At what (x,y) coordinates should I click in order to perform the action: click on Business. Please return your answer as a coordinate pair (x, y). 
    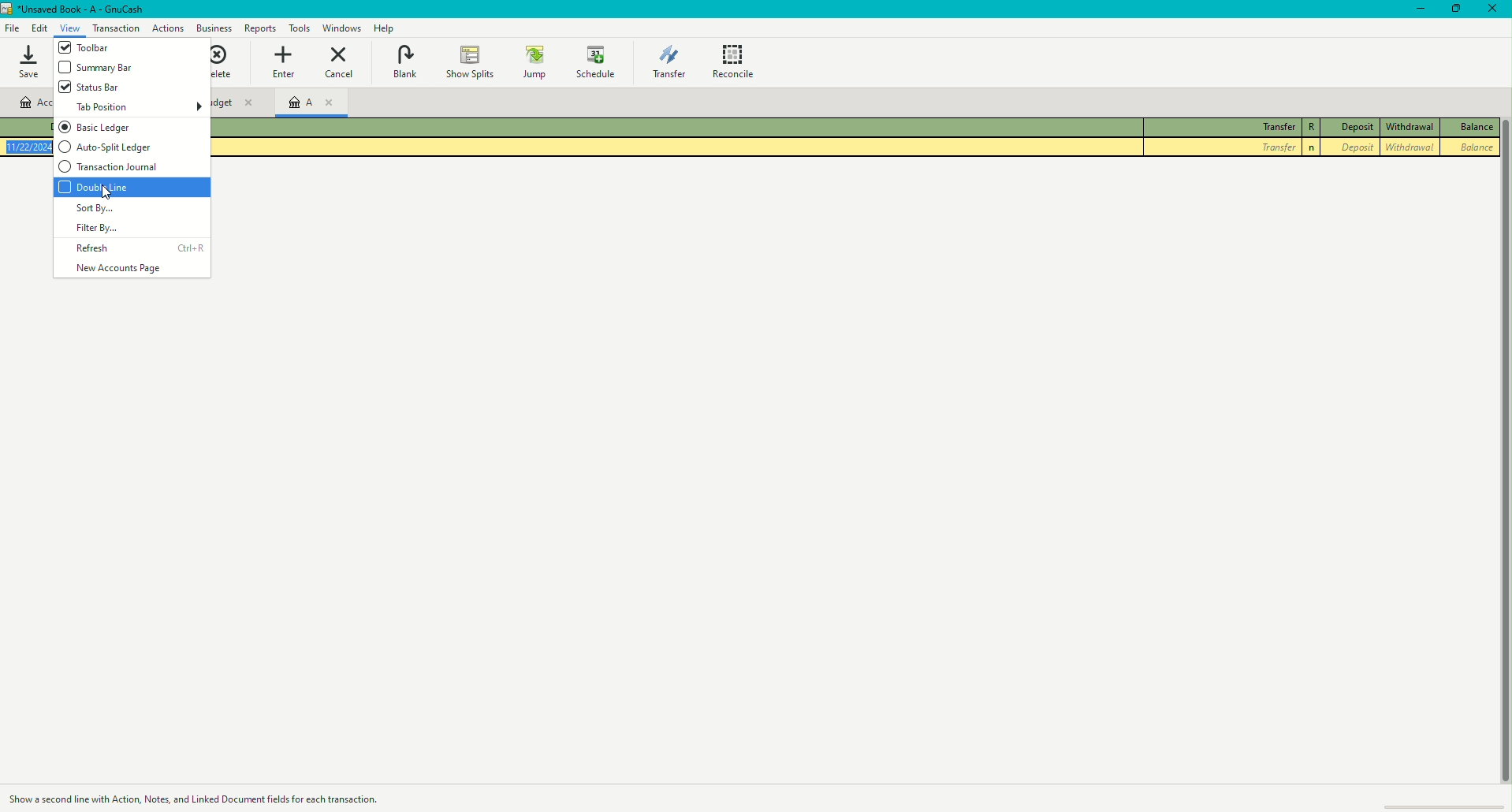
    Looking at the image, I should click on (214, 28).